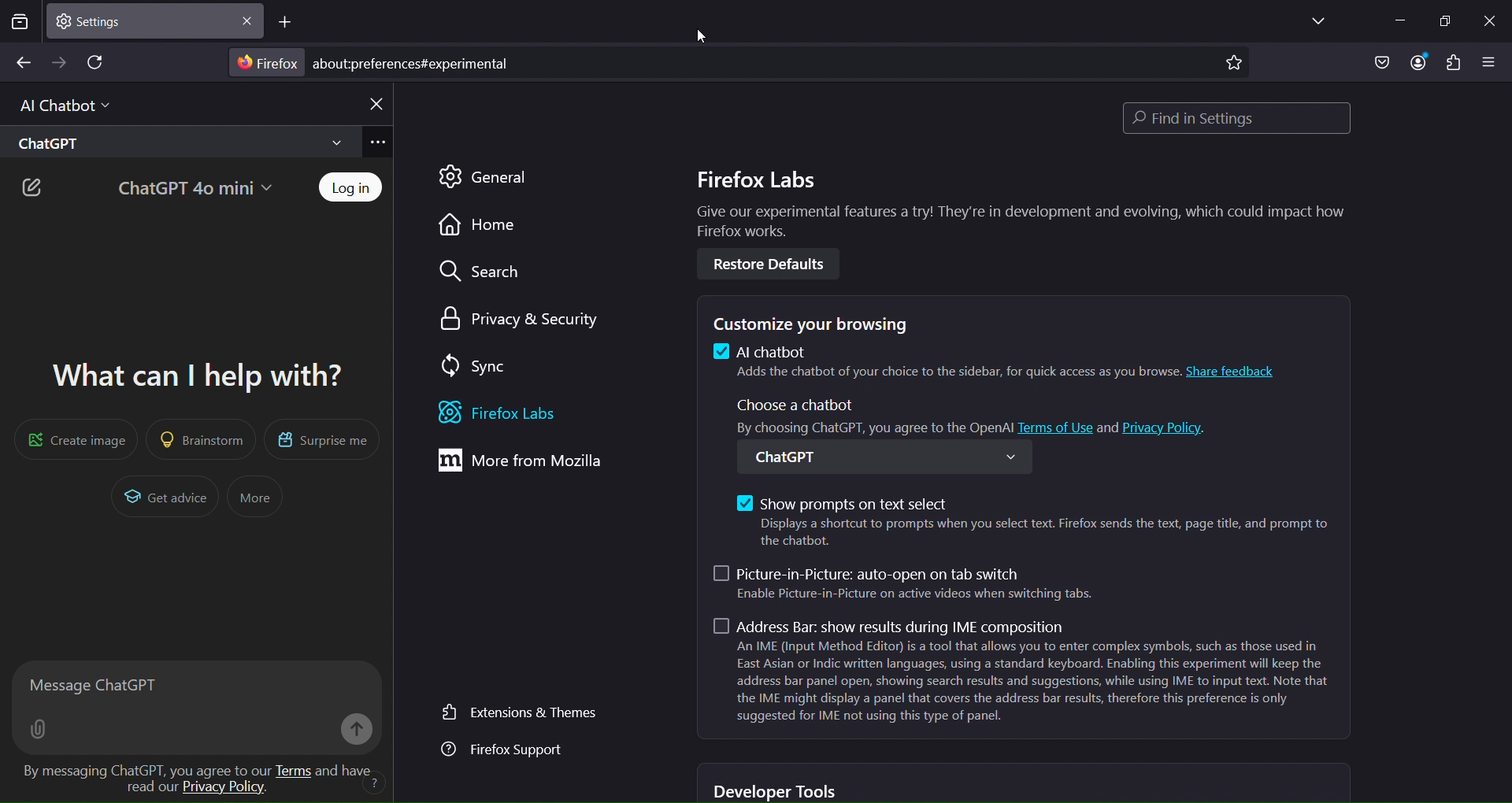 The width and height of the screenshot is (1512, 803). What do you see at coordinates (1232, 65) in the screenshot?
I see `bookmark page` at bounding box center [1232, 65].